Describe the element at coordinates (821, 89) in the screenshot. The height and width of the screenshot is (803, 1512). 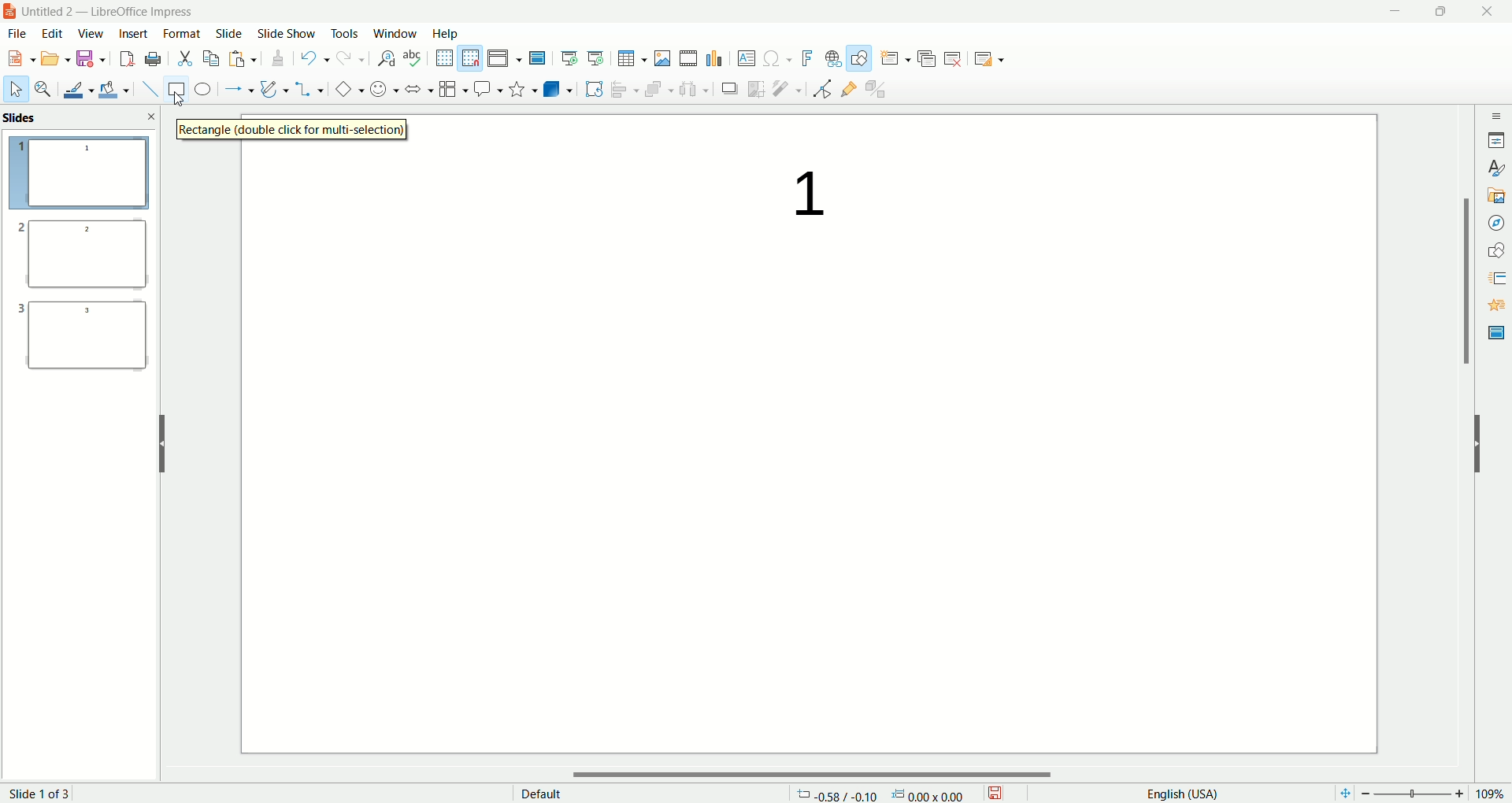
I see `point edit mode` at that location.